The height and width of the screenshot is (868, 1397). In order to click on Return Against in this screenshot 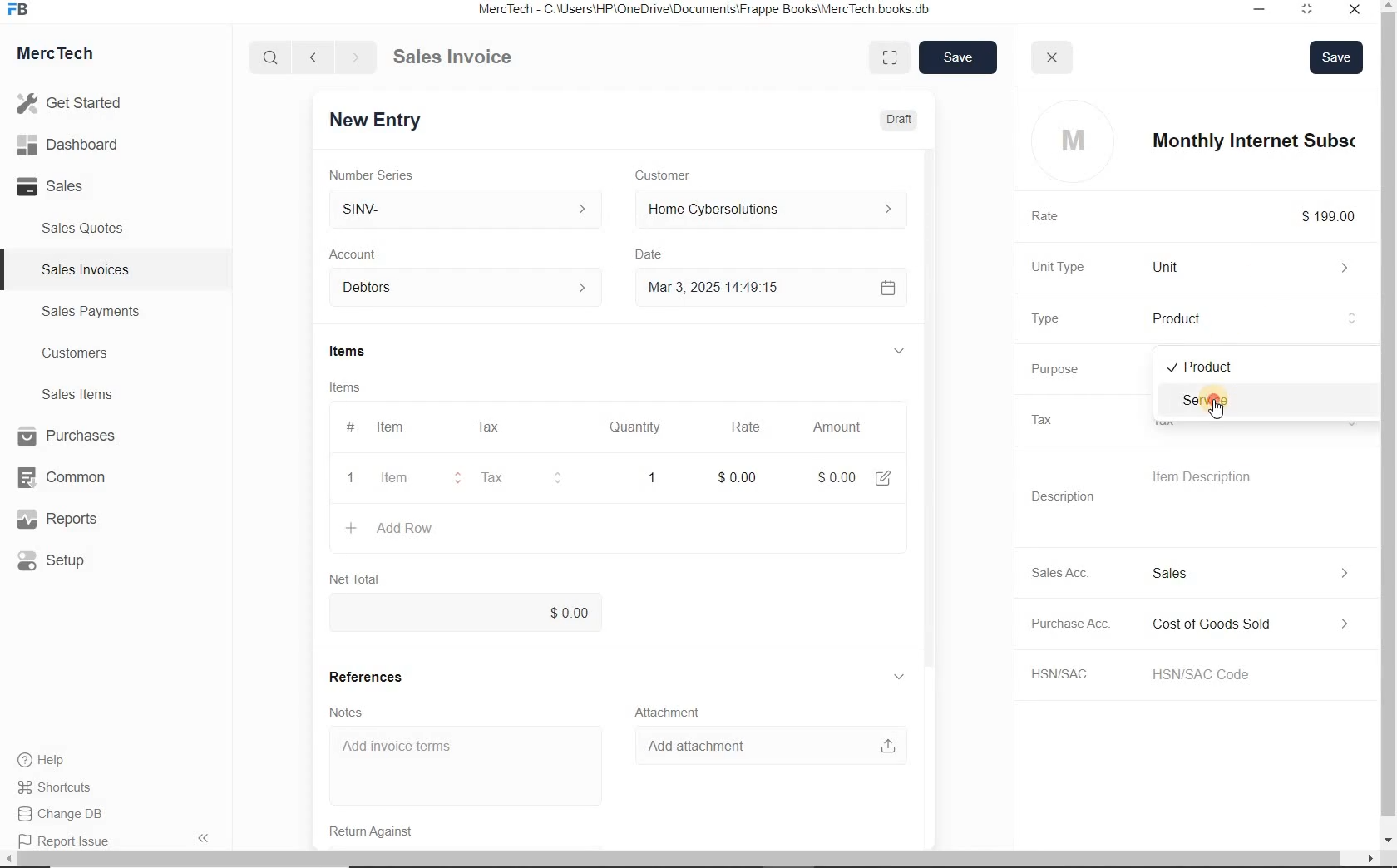, I will do `click(391, 830)`.